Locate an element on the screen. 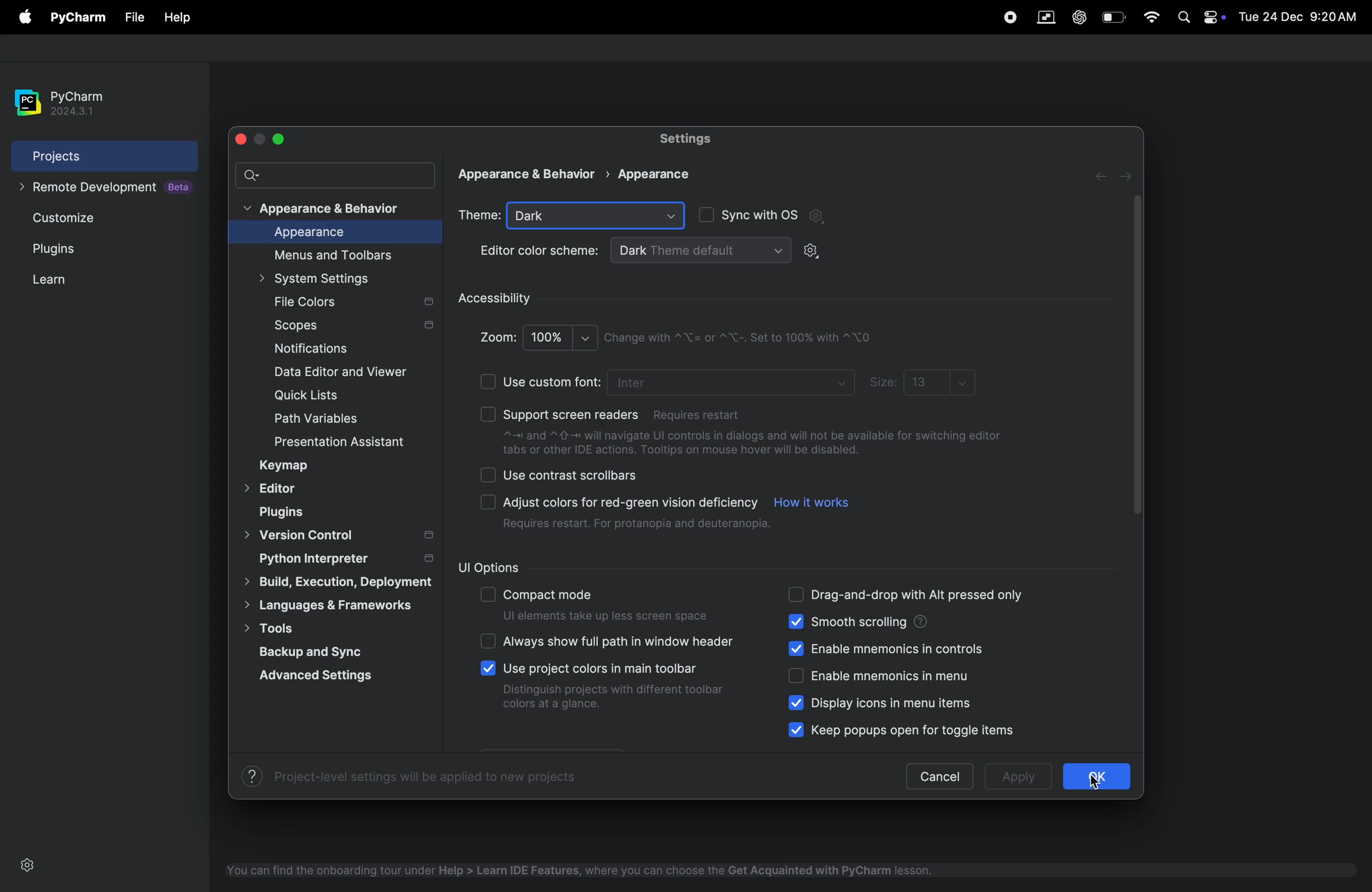  apperance is located at coordinates (534, 175).